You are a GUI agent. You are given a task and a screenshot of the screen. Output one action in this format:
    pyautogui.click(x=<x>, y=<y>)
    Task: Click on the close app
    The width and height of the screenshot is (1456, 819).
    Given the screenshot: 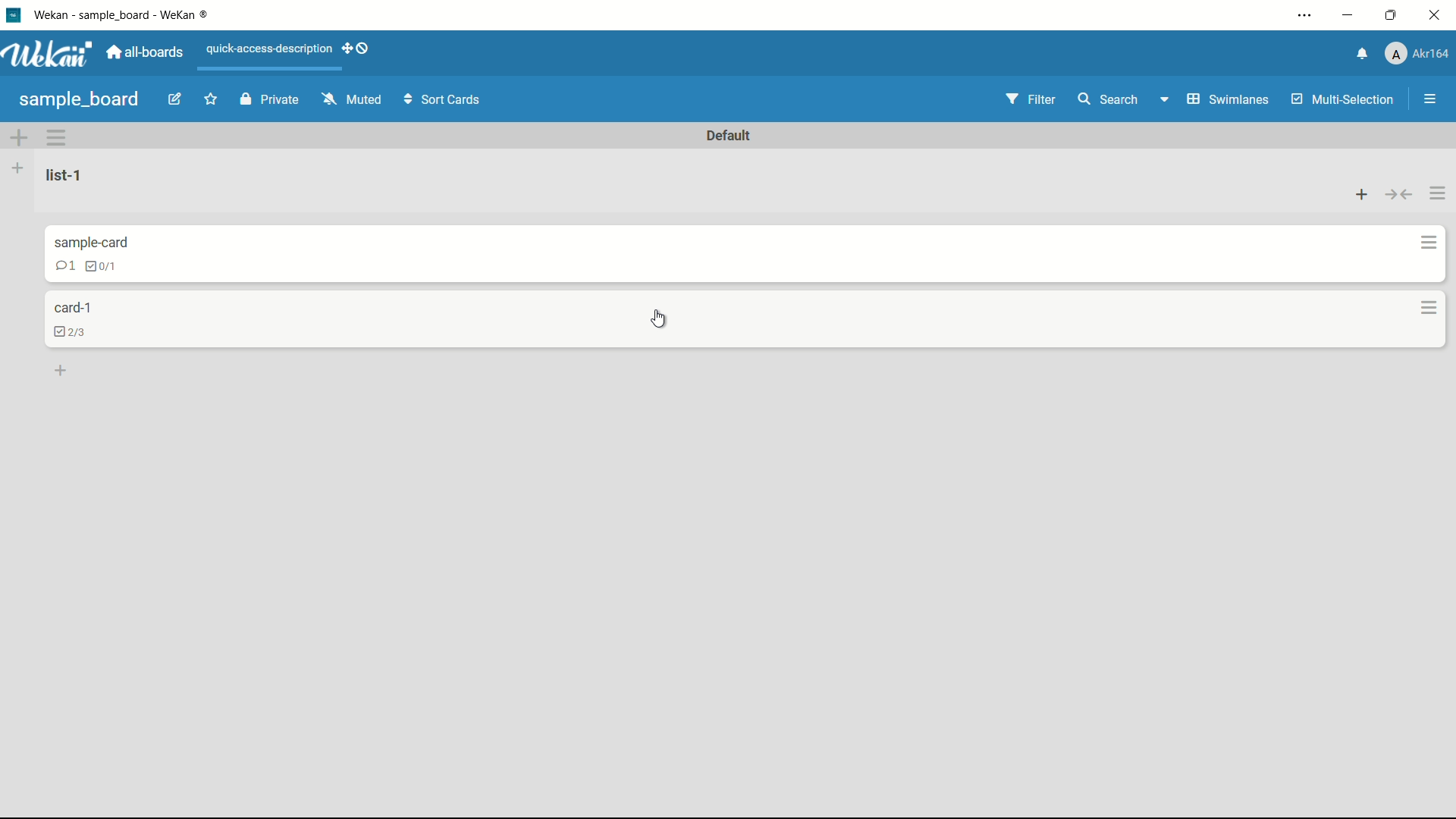 What is the action you would take?
    pyautogui.click(x=1436, y=16)
    